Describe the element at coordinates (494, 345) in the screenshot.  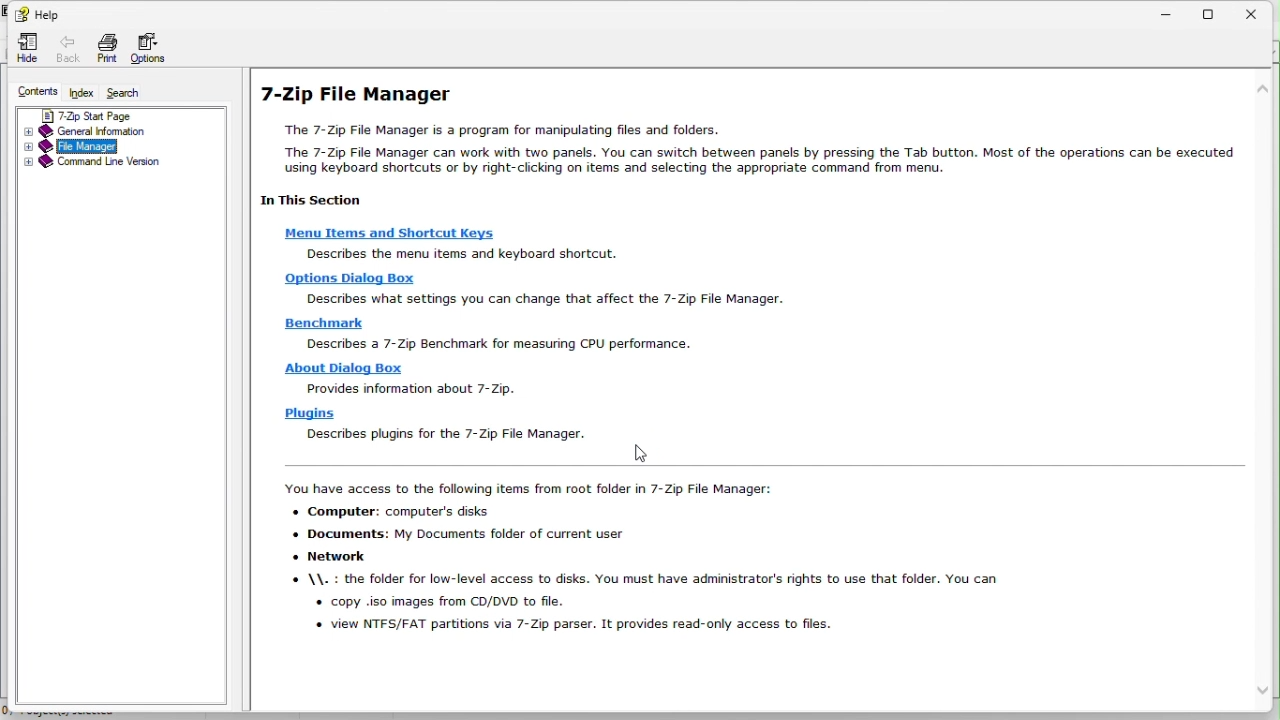
I see `decsribes a 7zip benchmark for measuring CPU performance` at that location.